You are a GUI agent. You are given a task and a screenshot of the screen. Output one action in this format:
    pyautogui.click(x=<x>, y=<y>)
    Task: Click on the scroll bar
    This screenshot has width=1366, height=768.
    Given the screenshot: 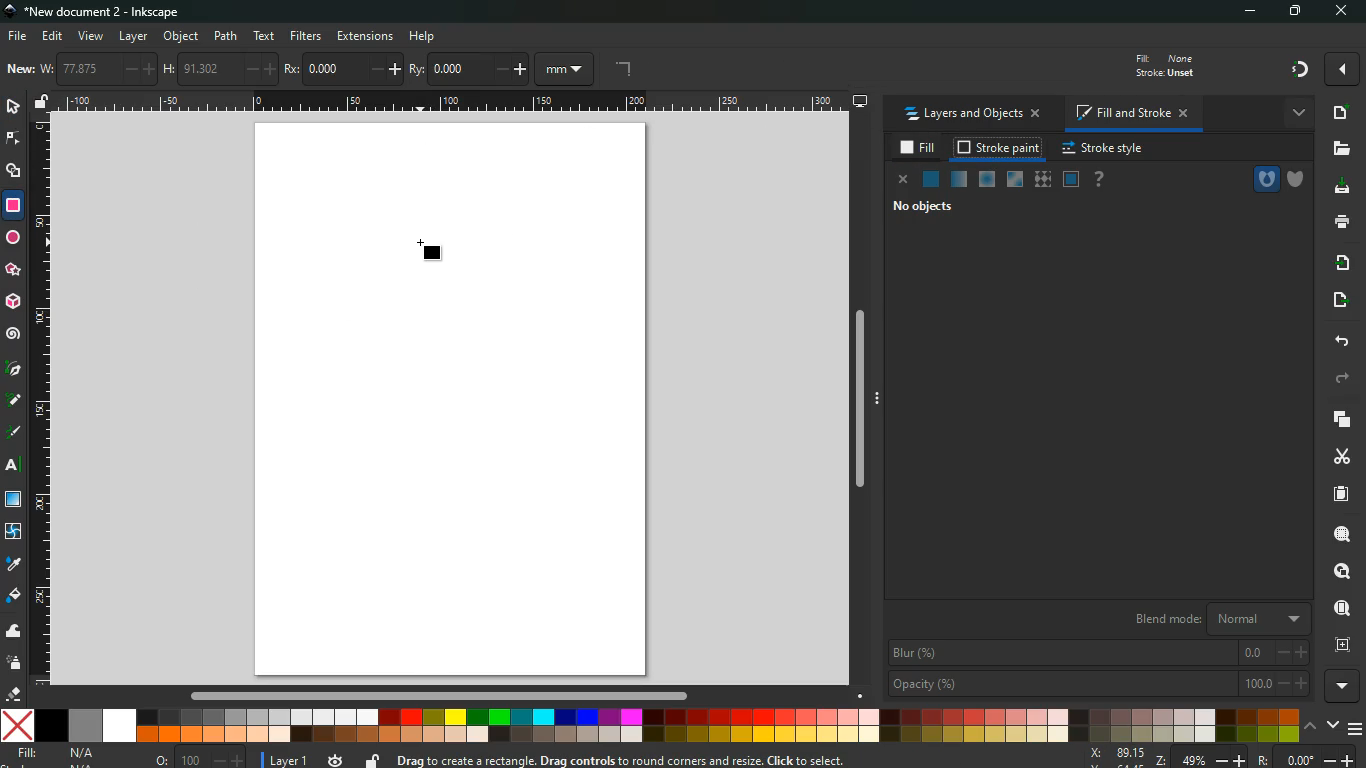 What is the action you would take?
    pyautogui.click(x=859, y=395)
    